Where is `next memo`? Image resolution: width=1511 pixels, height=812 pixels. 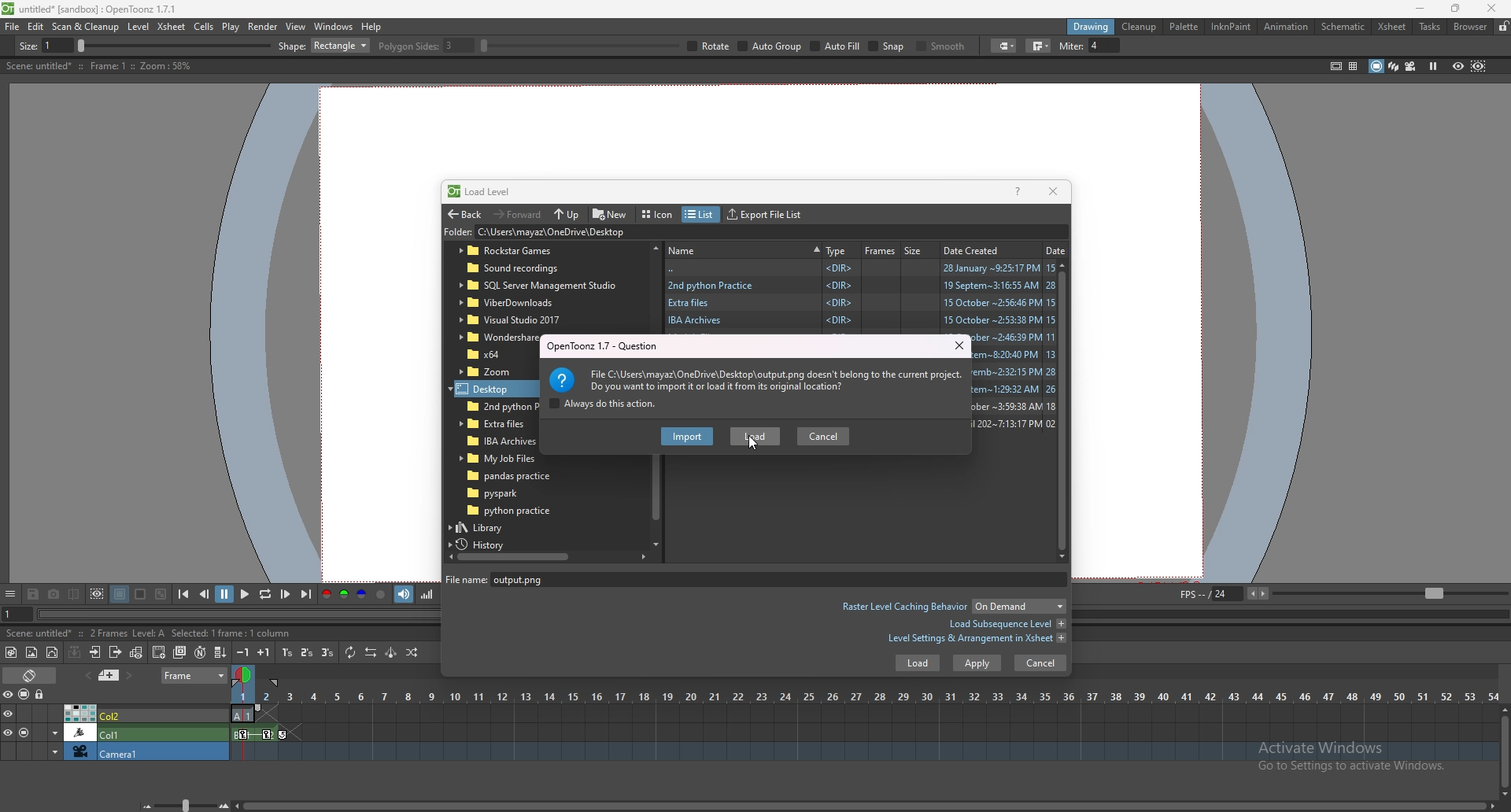 next memo is located at coordinates (131, 676).